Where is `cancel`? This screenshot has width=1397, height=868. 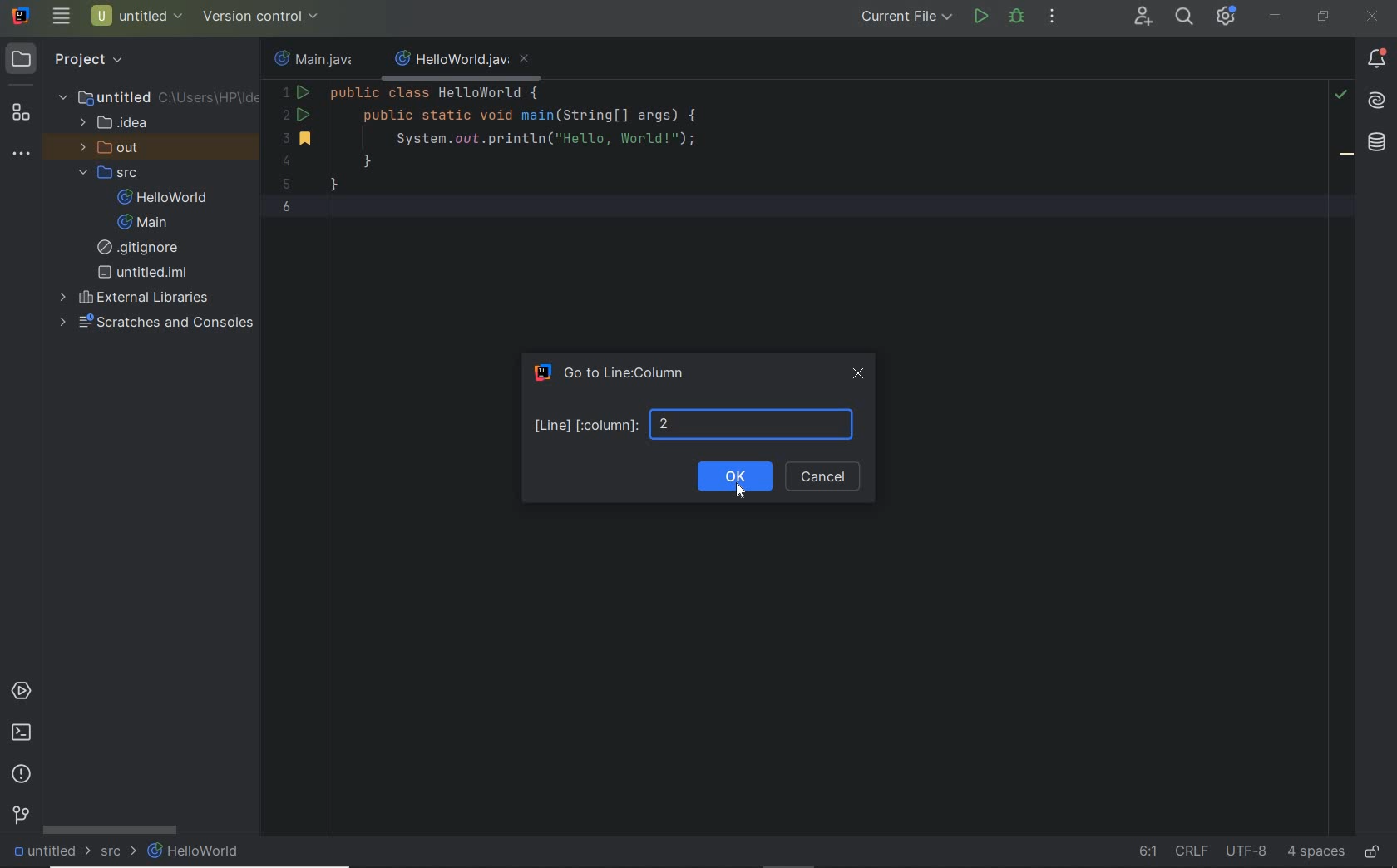
cancel is located at coordinates (825, 476).